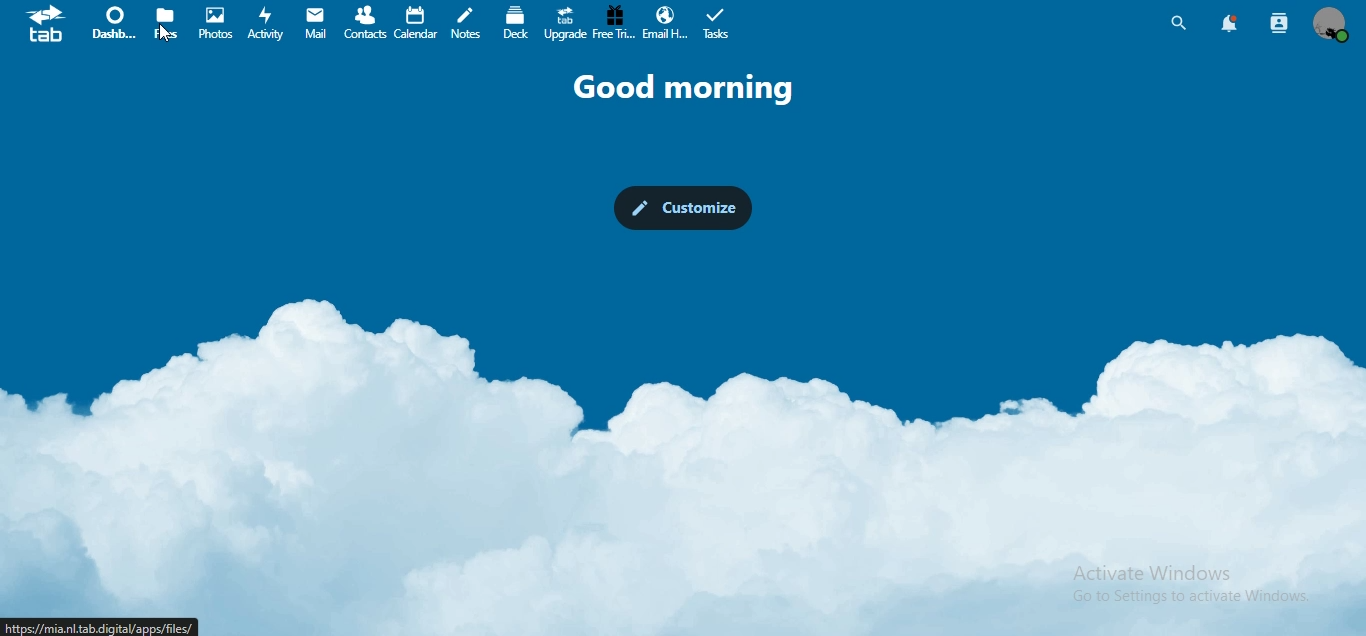 This screenshot has height=636, width=1366. I want to click on email hosting, so click(663, 23).